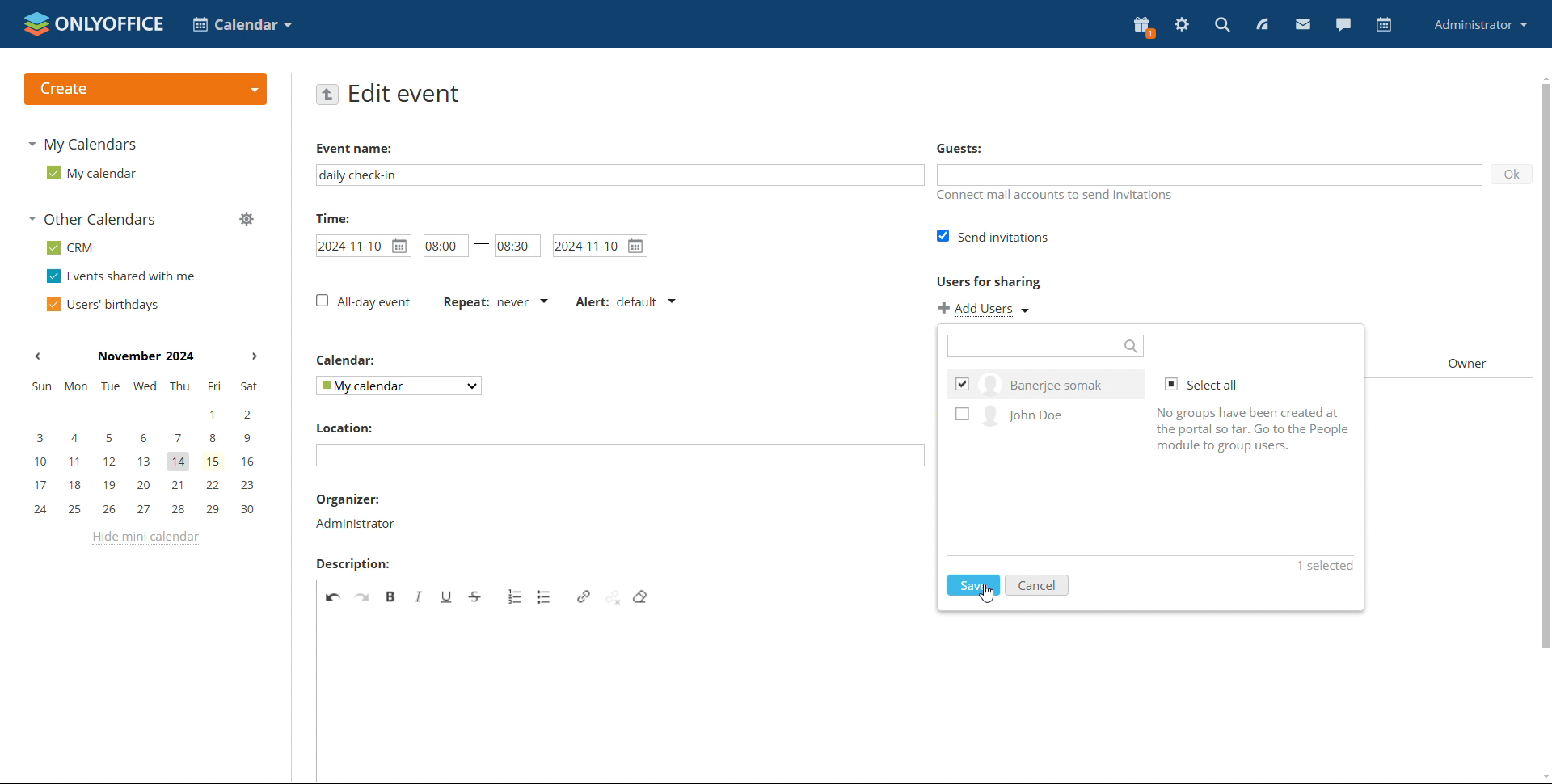 The height and width of the screenshot is (784, 1552). I want to click on my calendar, so click(90, 172).